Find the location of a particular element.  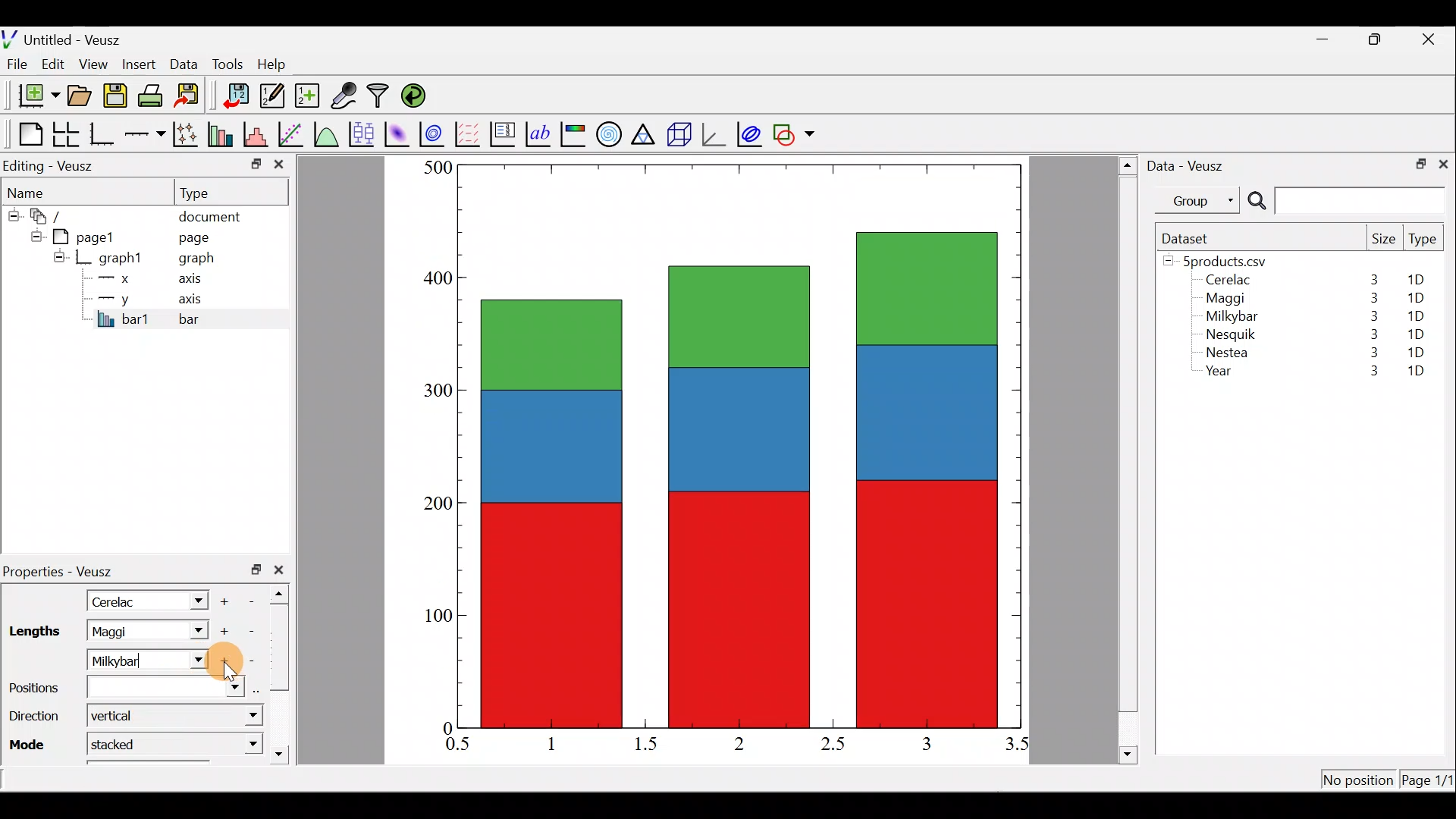

Save the document is located at coordinates (117, 99).